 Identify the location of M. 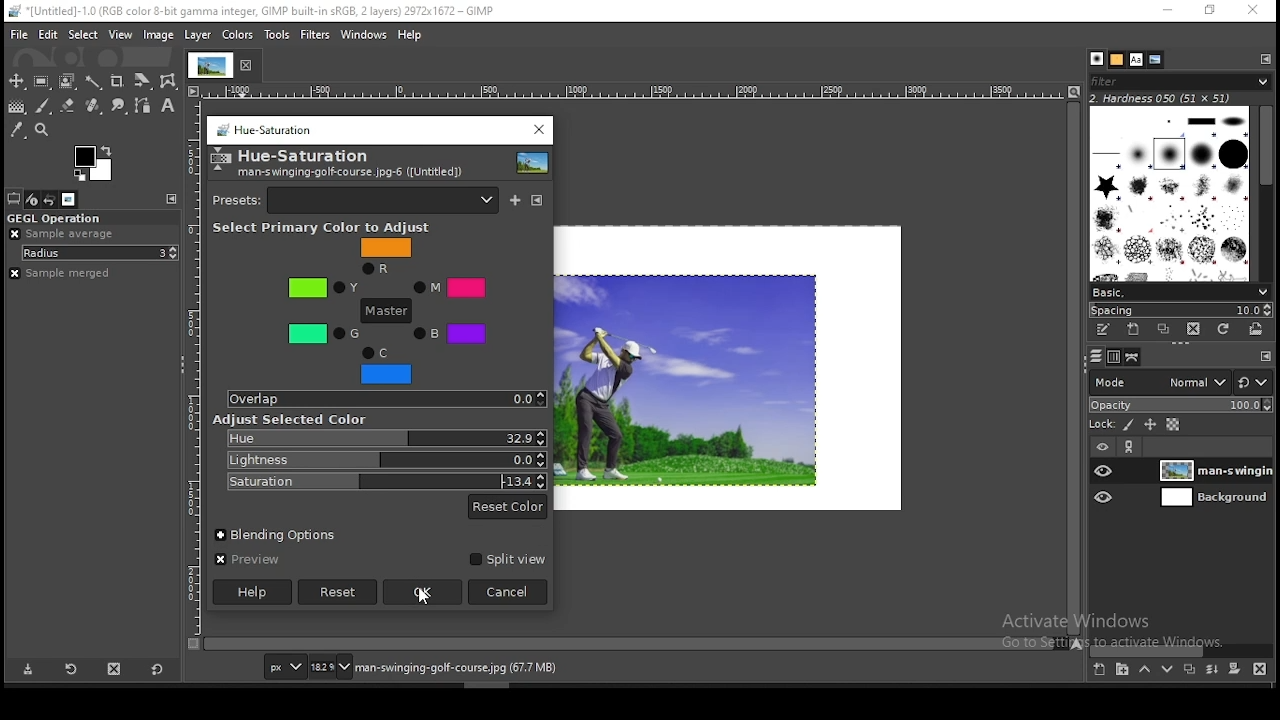
(448, 287).